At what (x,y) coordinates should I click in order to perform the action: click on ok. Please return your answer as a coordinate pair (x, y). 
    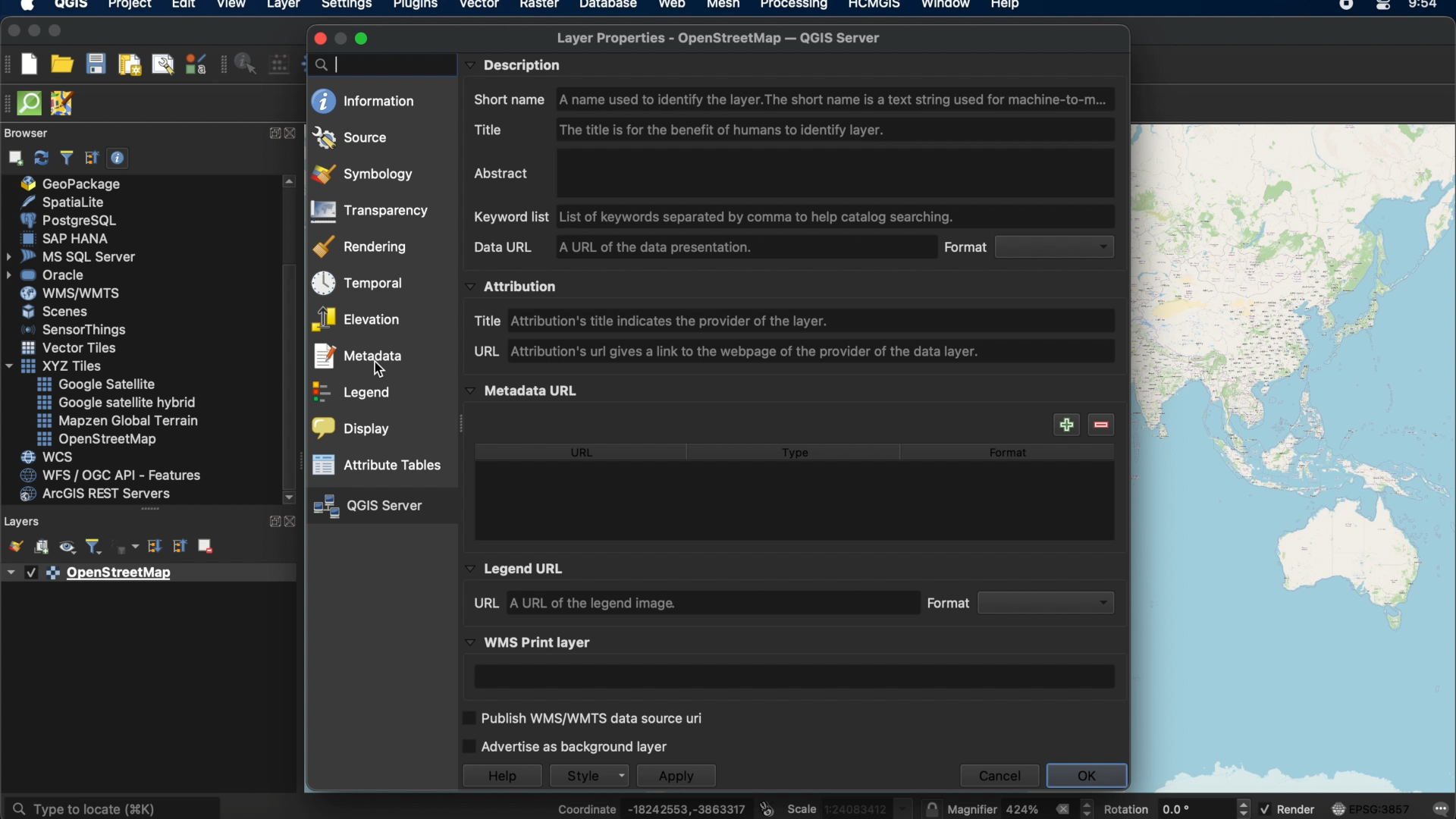
    Looking at the image, I should click on (1087, 776).